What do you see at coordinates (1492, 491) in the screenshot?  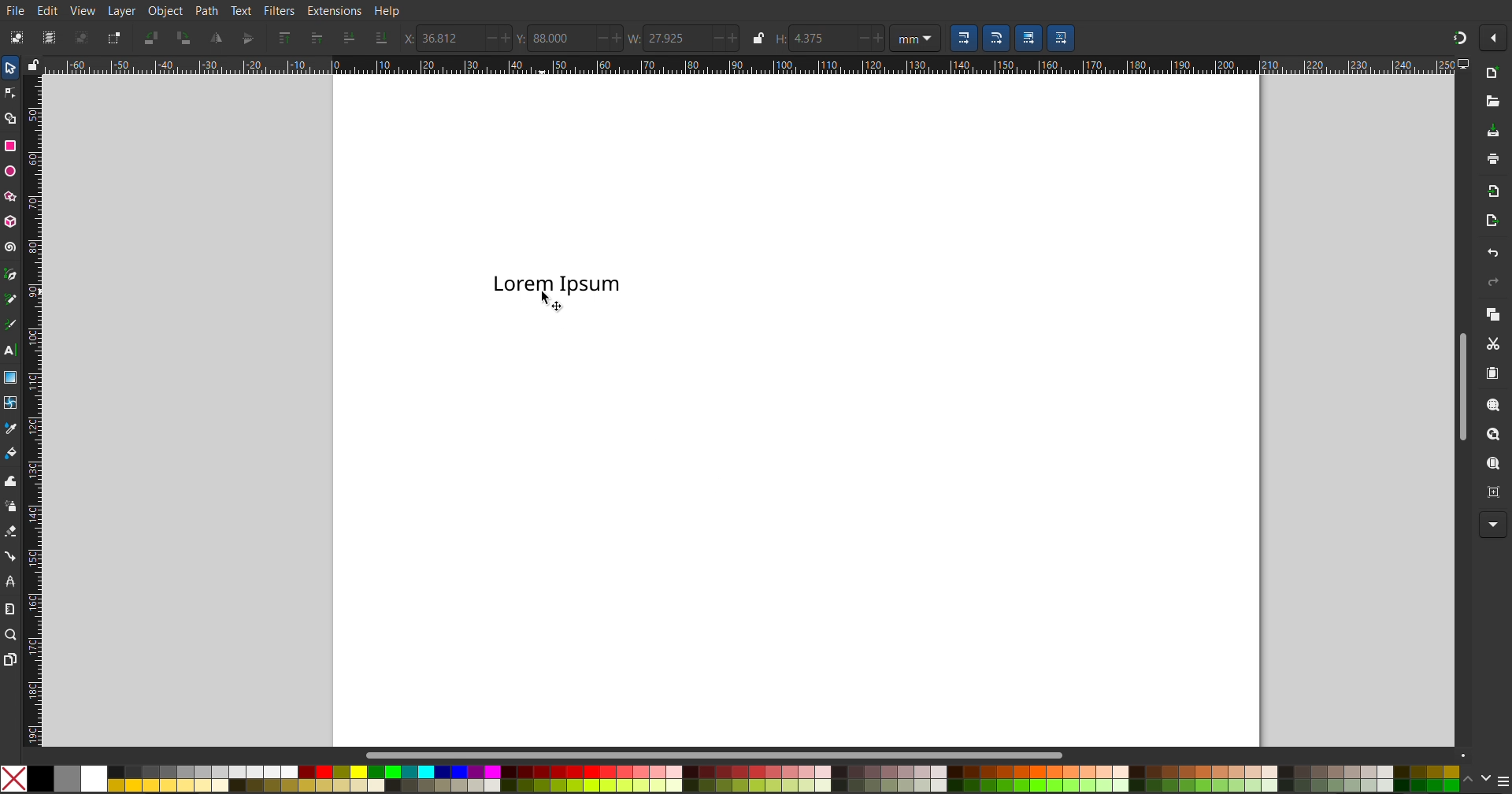 I see `Zoom Center Page` at bounding box center [1492, 491].